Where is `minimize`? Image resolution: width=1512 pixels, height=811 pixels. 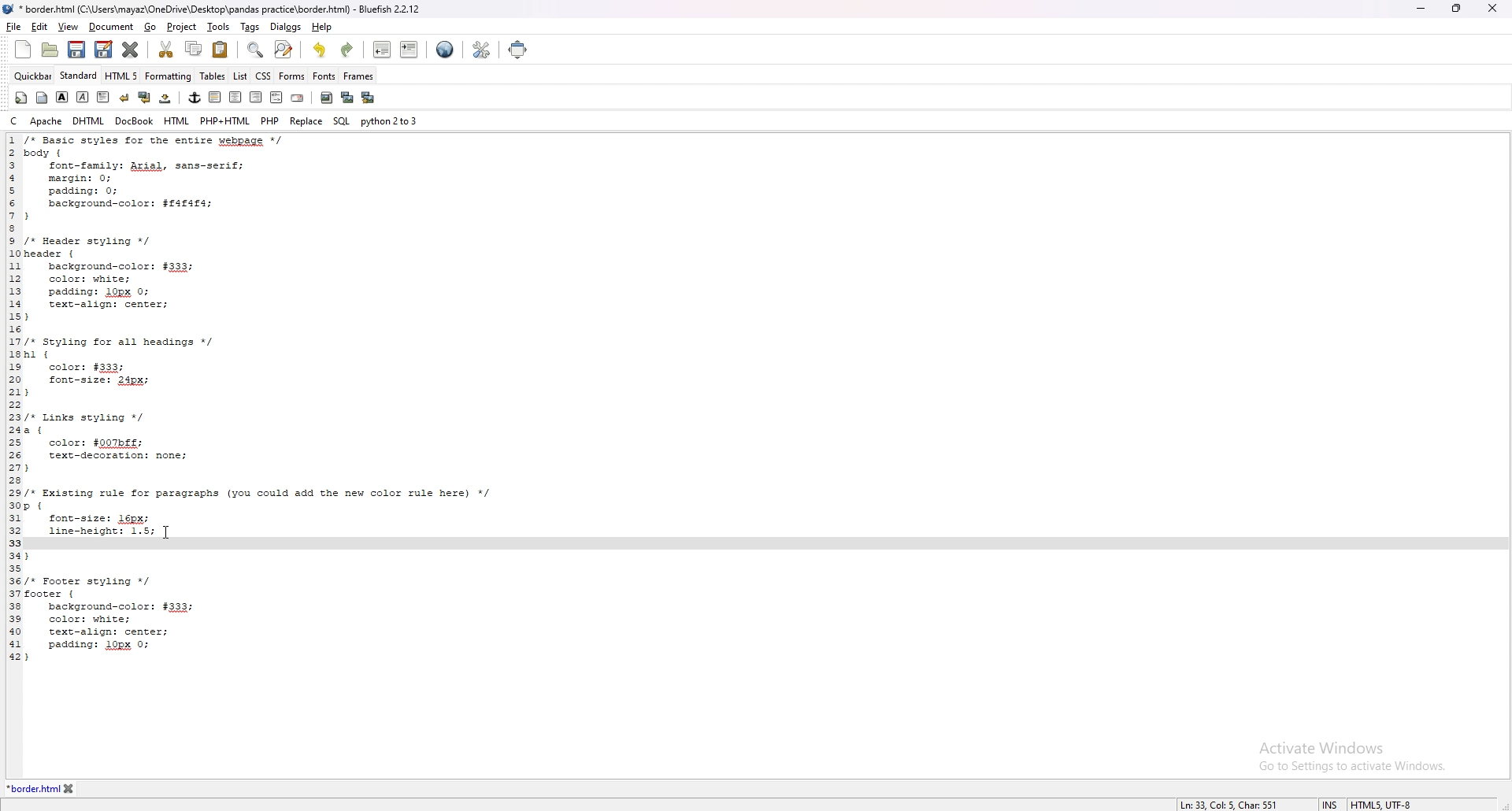
minimize is located at coordinates (1422, 8).